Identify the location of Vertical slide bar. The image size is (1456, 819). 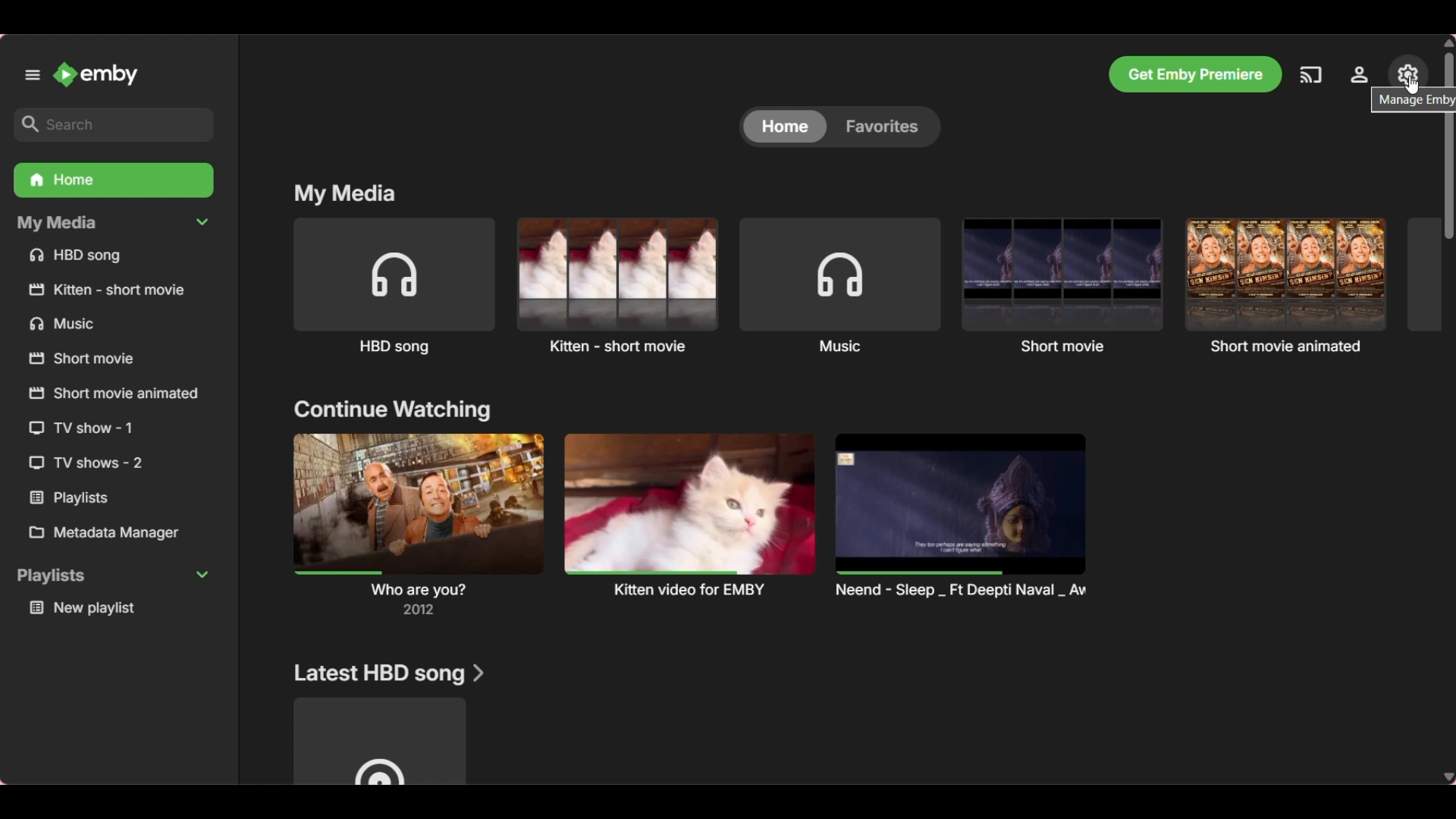
(1449, 146).